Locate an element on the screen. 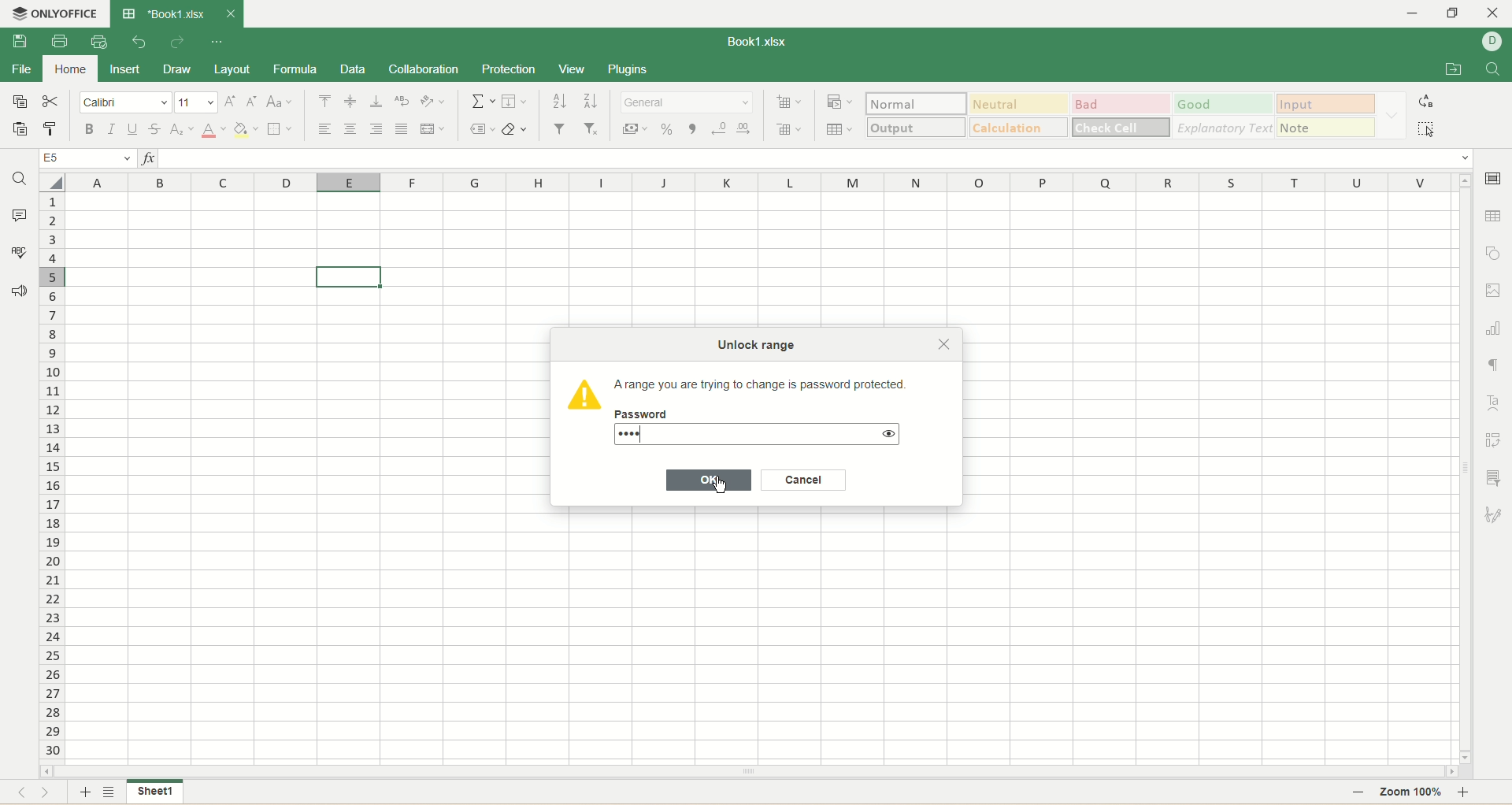 The image size is (1512, 805). italic is located at coordinates (112, 130).